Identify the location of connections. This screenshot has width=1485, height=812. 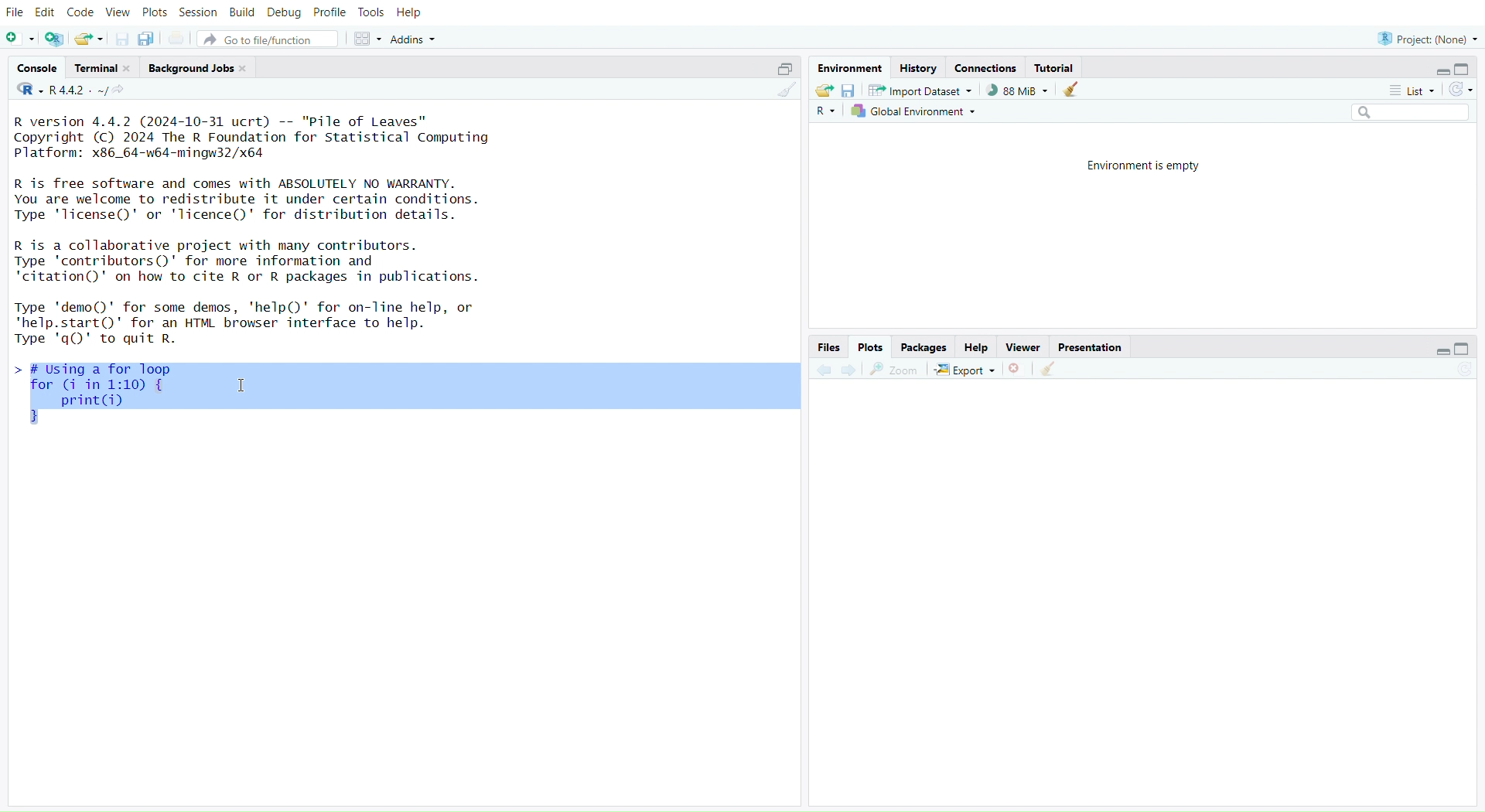
(988, 67).